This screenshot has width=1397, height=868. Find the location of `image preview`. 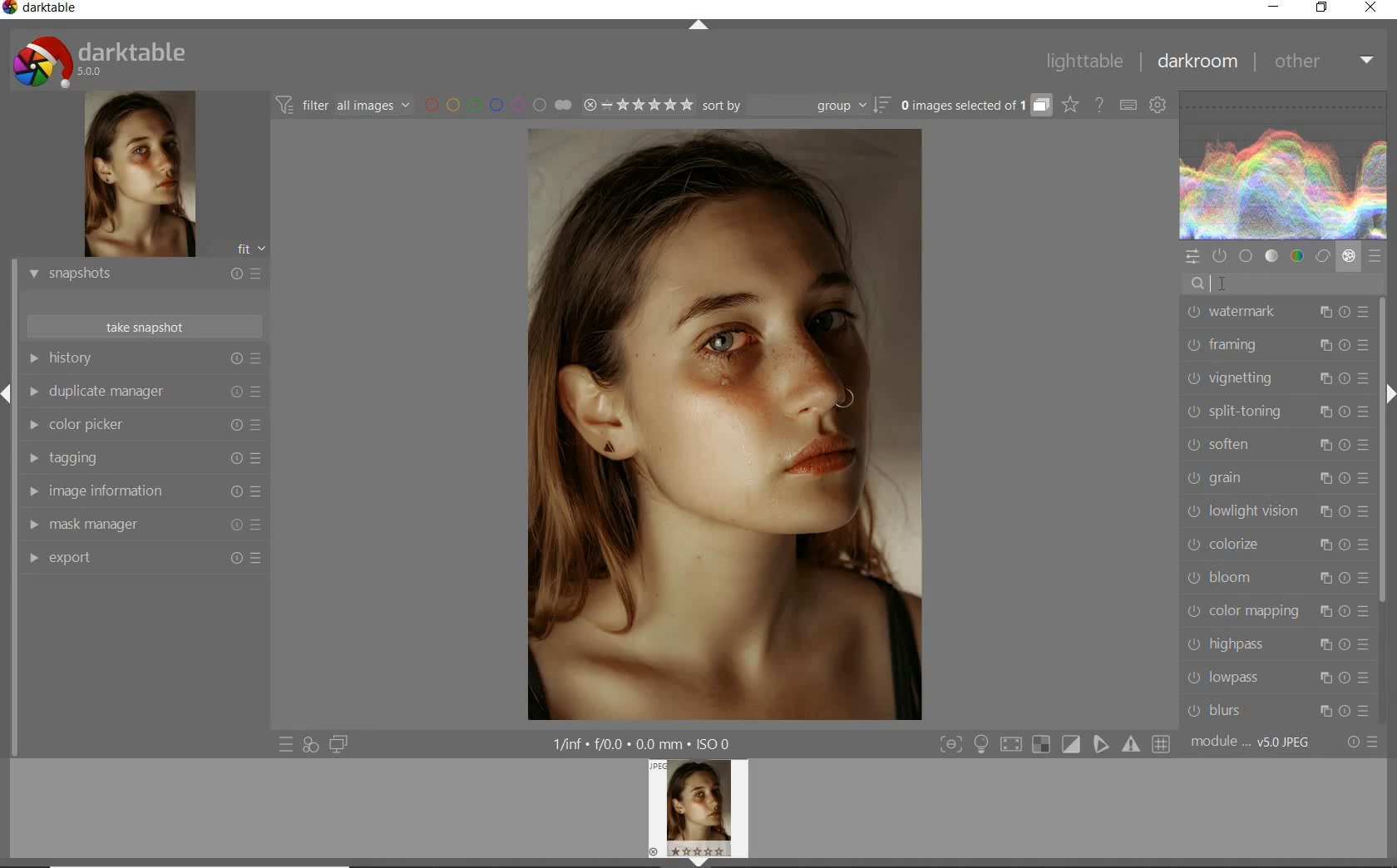

image preview is located at coordinates (701, 813).